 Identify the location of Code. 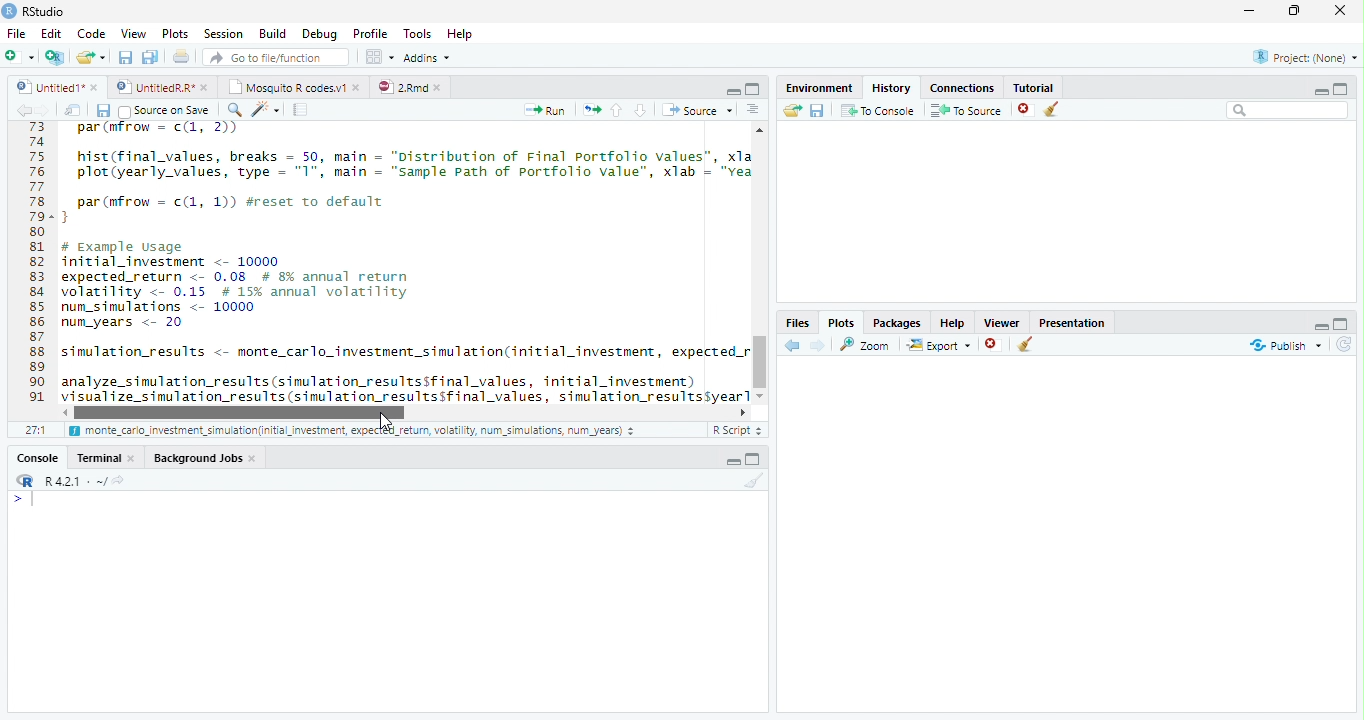
(89, 33).